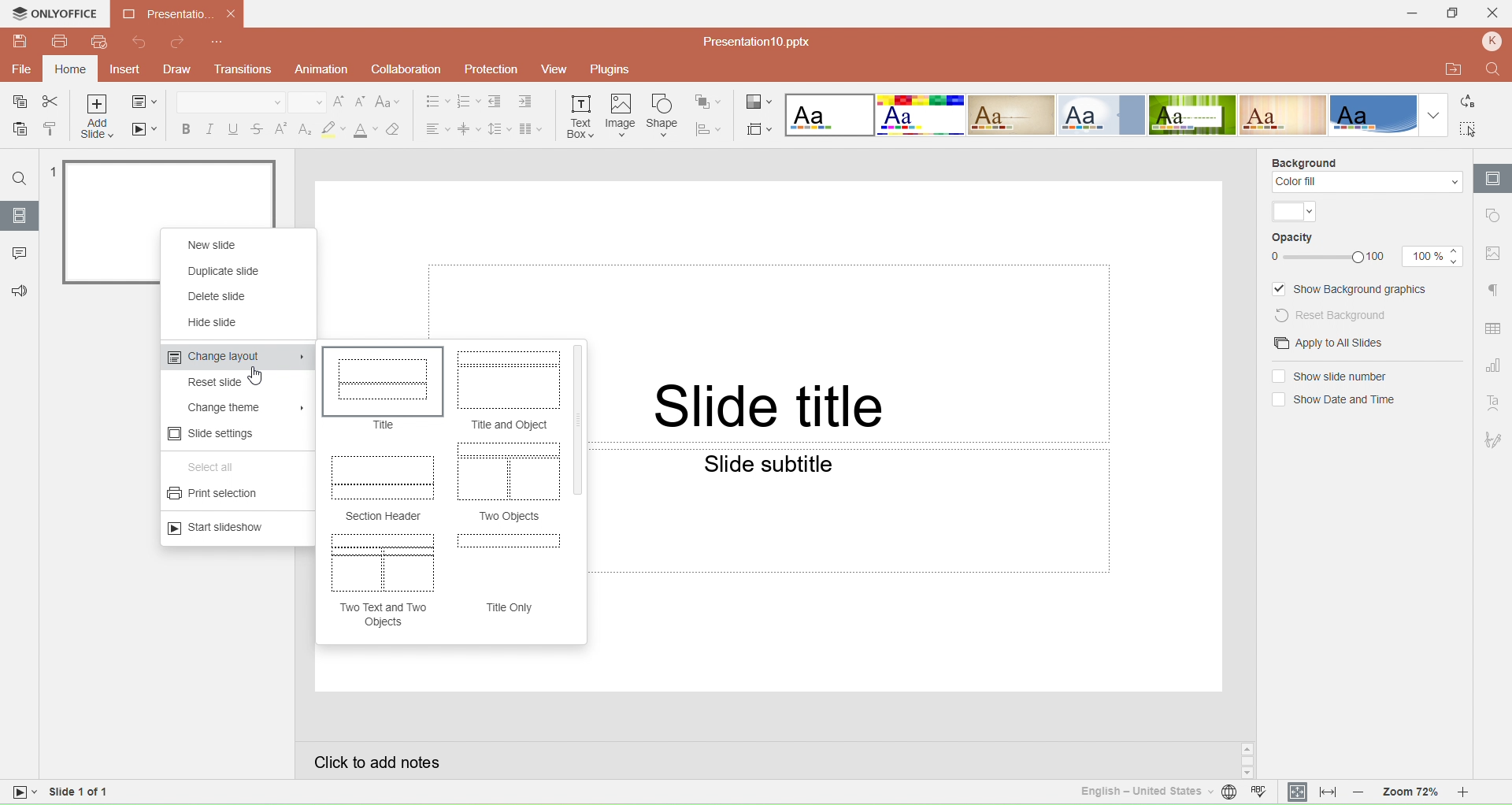 The height and width of the screenshot is (805, 1512). What do you see at coordinates (1342, 314) in the screenshot?
I see `Rest background` at bounding box center [1342, 314].